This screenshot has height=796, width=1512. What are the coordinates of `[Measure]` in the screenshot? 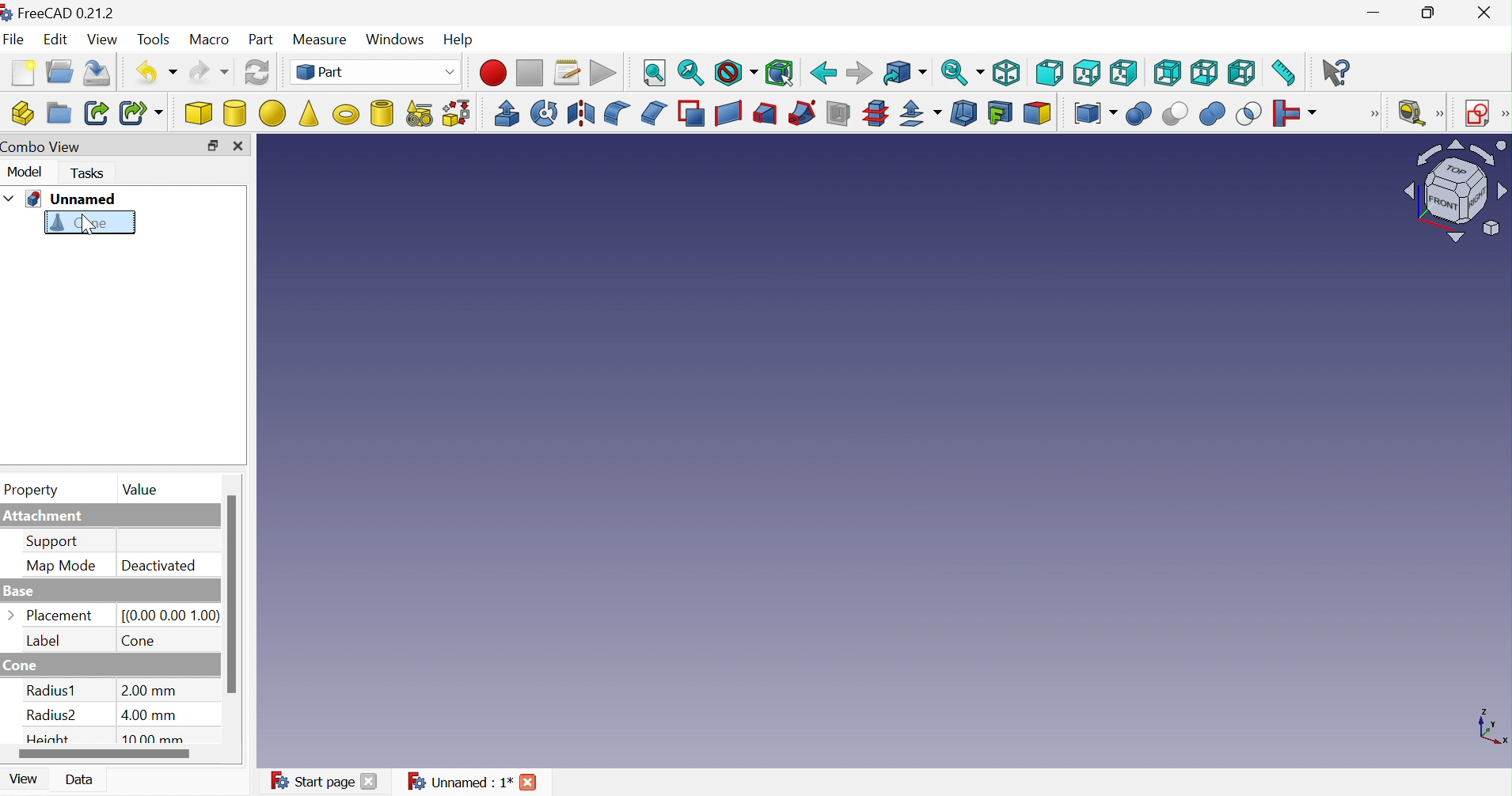 It's located at (1442, 114).